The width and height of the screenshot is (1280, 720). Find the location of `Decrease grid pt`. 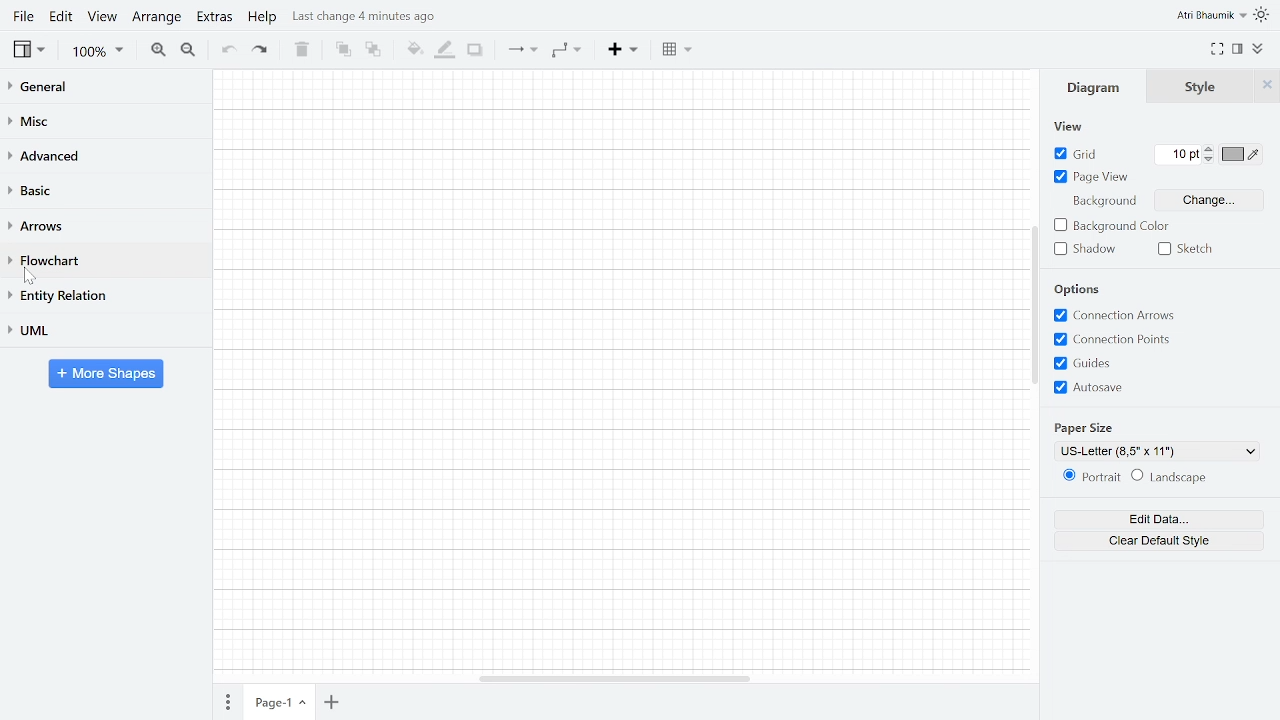

Decrease grid pt is located at coordinates (1211, 160).